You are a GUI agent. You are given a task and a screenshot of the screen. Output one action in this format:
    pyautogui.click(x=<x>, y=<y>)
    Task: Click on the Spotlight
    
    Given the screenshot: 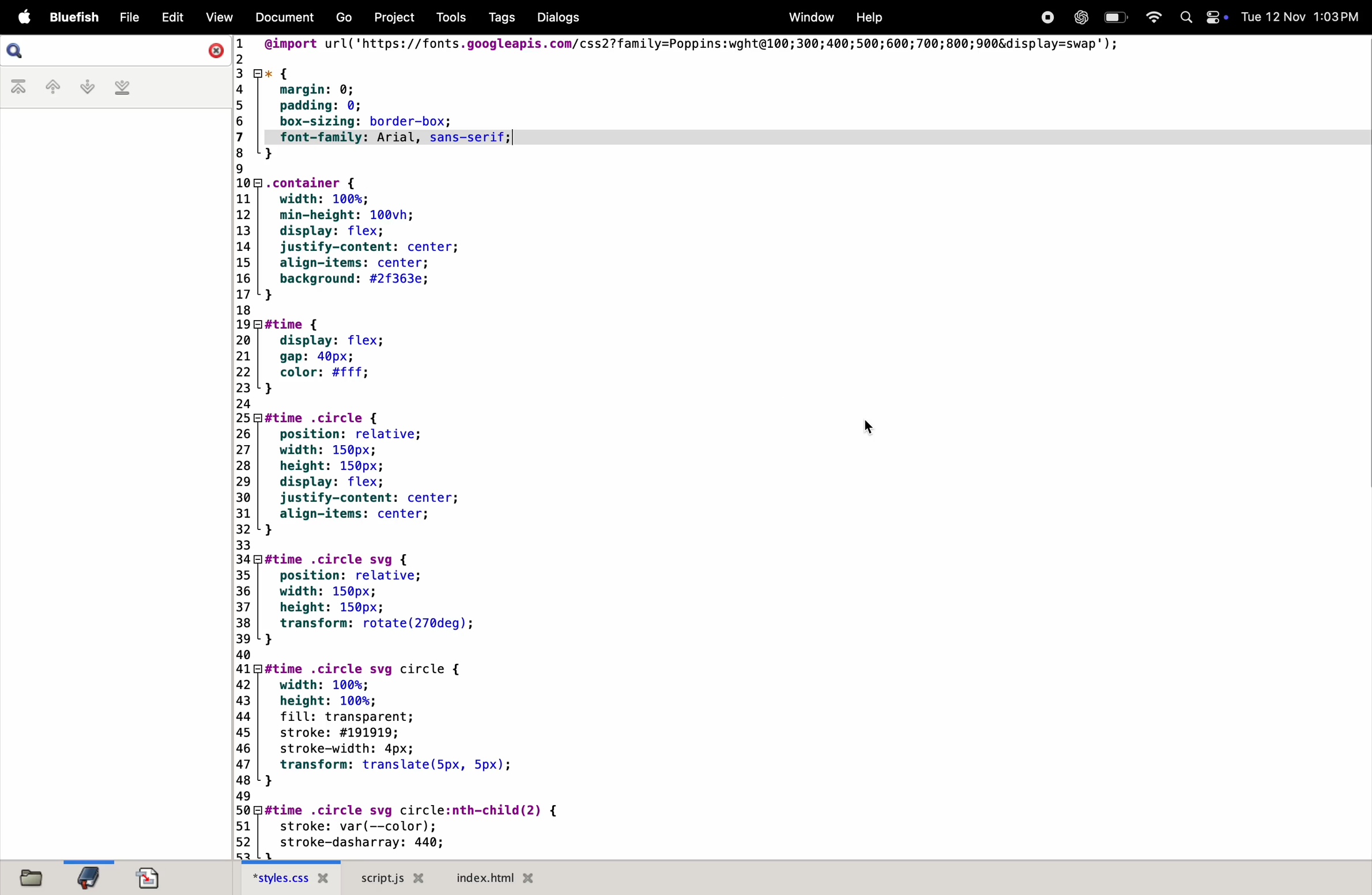 What is the action you would take?
    pyautogui.click(x=1185, y=19)
    